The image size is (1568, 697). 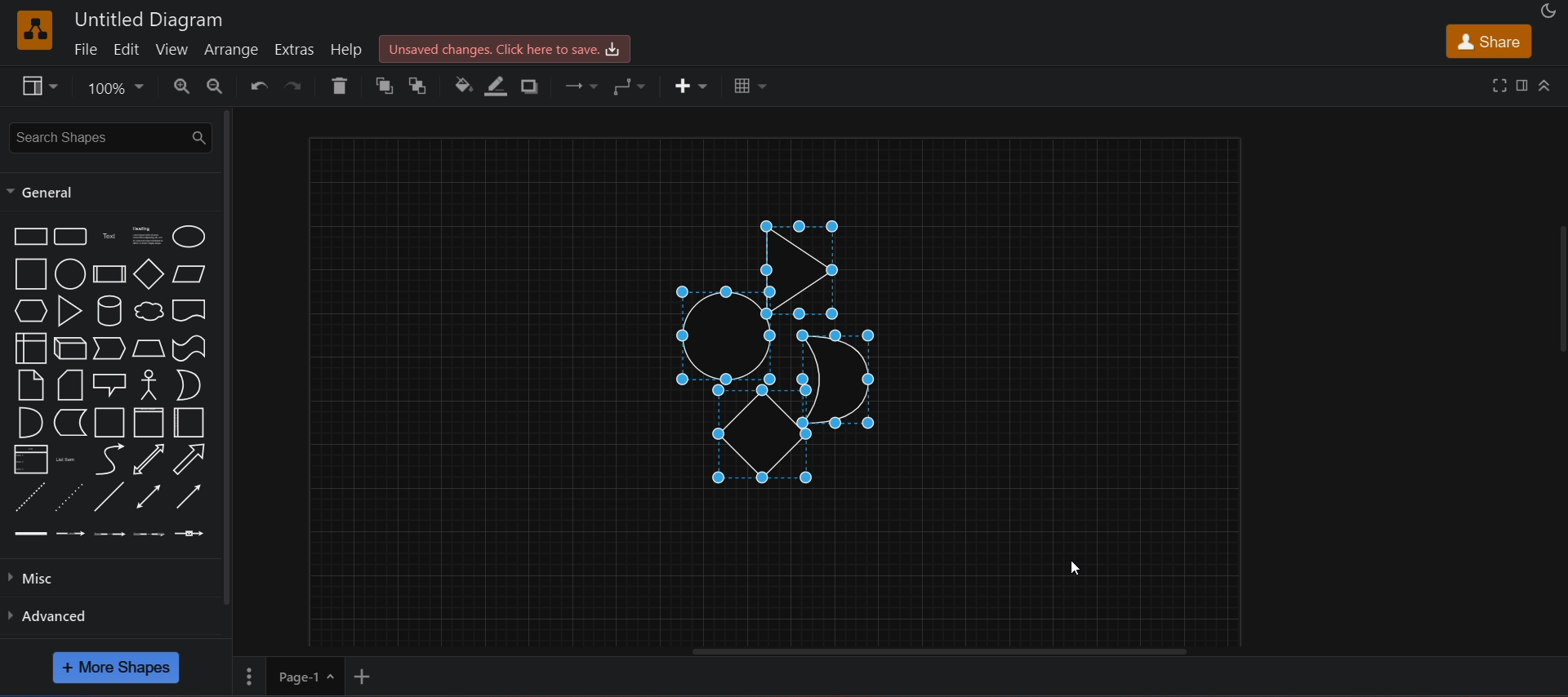 What do you see at coordinates (747, 85) in the screenshot?
I see `table` at bounding box center [747, 85].